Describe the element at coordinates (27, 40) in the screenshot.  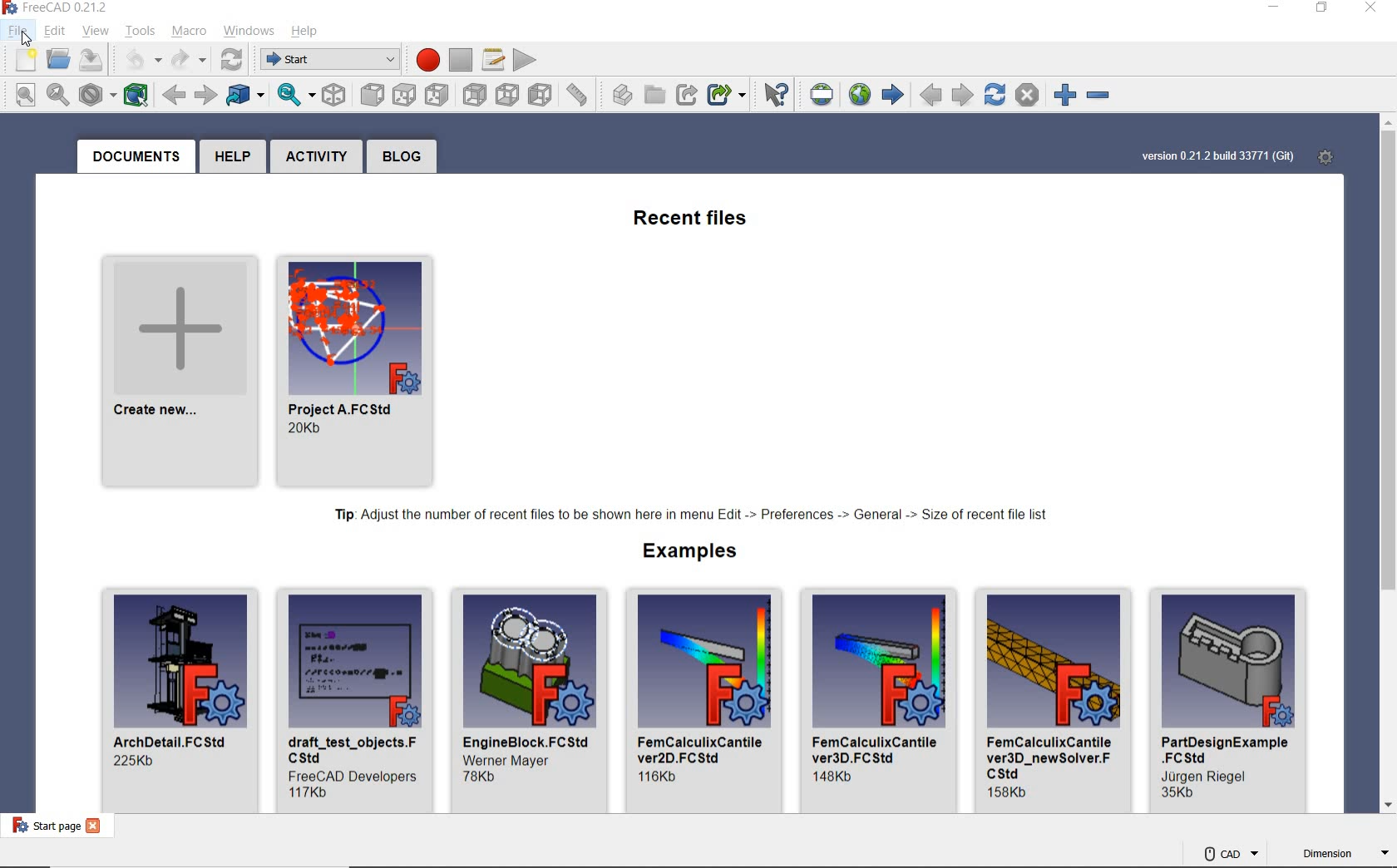
I see `cursor` at that location.